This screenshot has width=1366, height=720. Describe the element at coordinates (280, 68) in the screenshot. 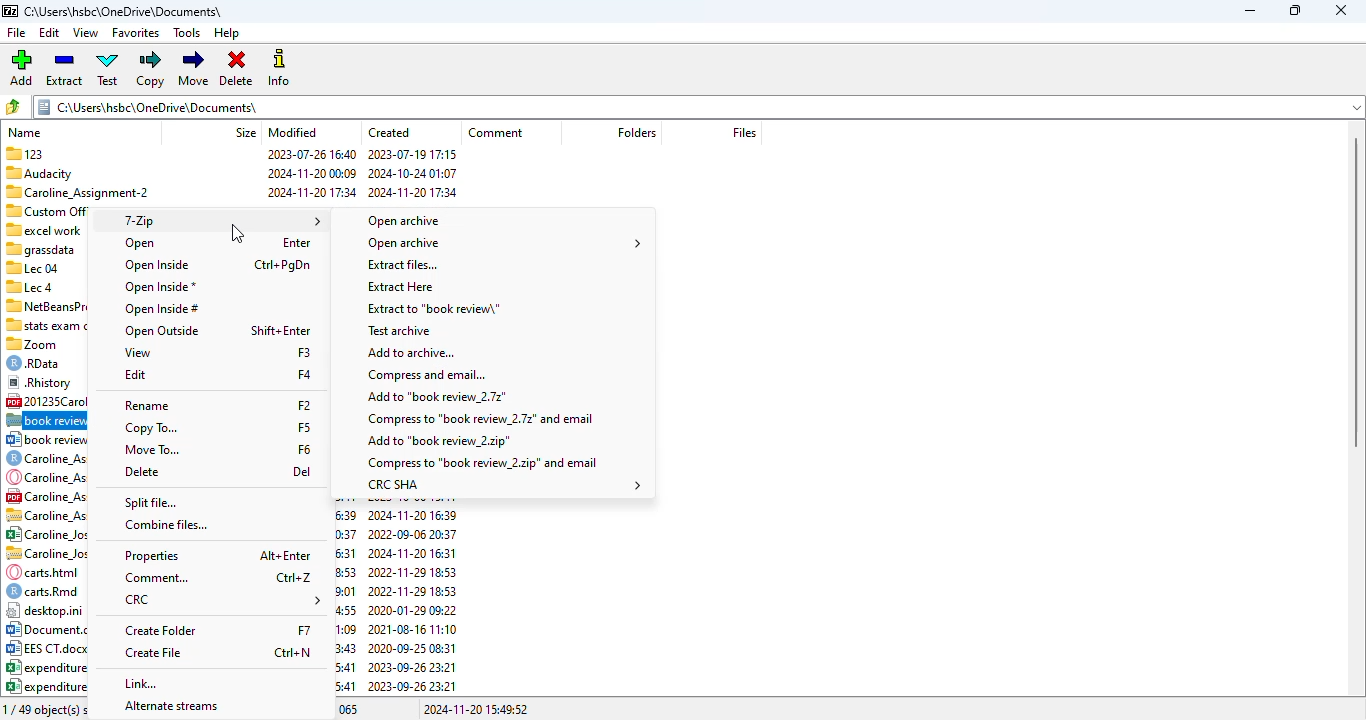

I see `info` at that location.